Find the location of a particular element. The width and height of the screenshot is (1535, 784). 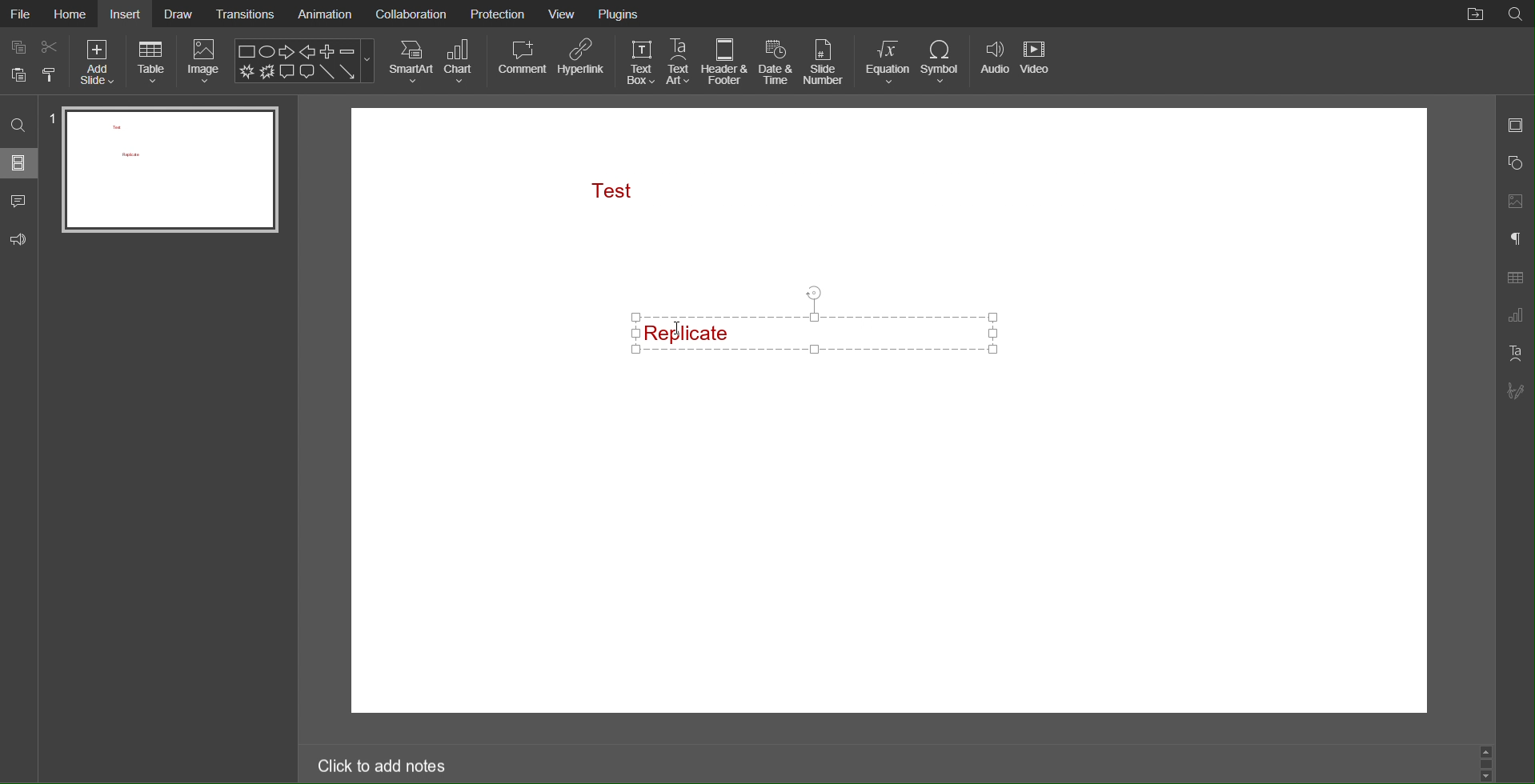

Text Art is located at coordinates (679, 62).